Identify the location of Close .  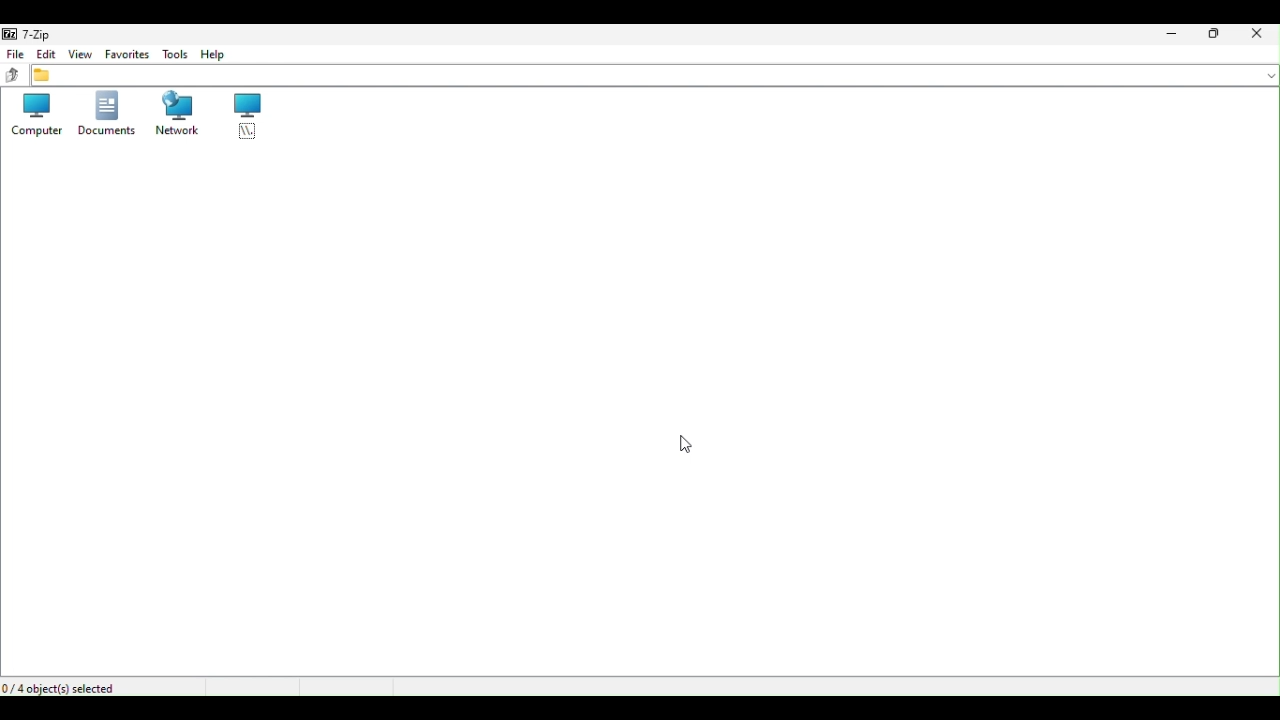
(1263, 34).